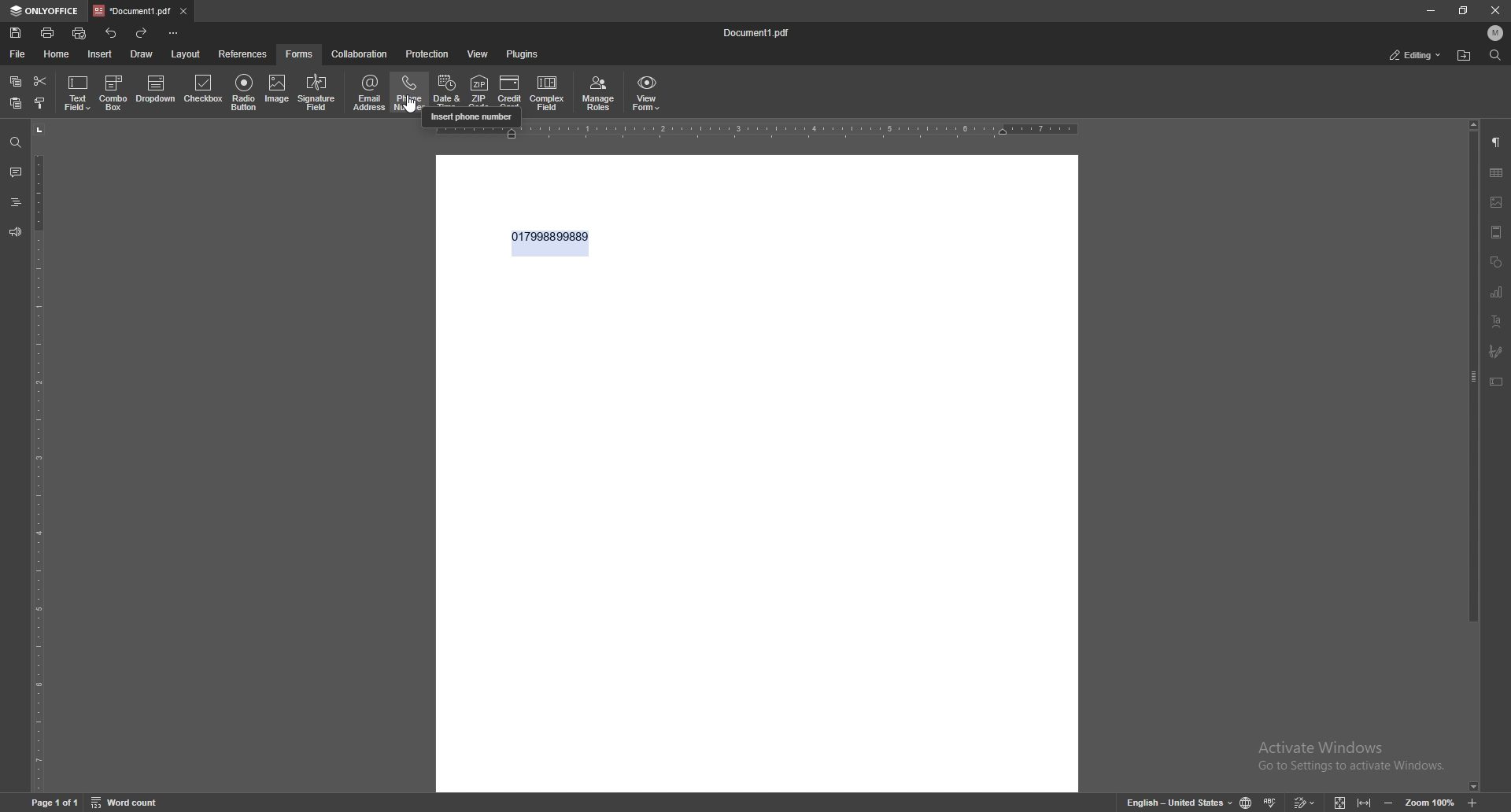 The image size is (1511, 812). I want to click on shapes, so click(1496, 263).